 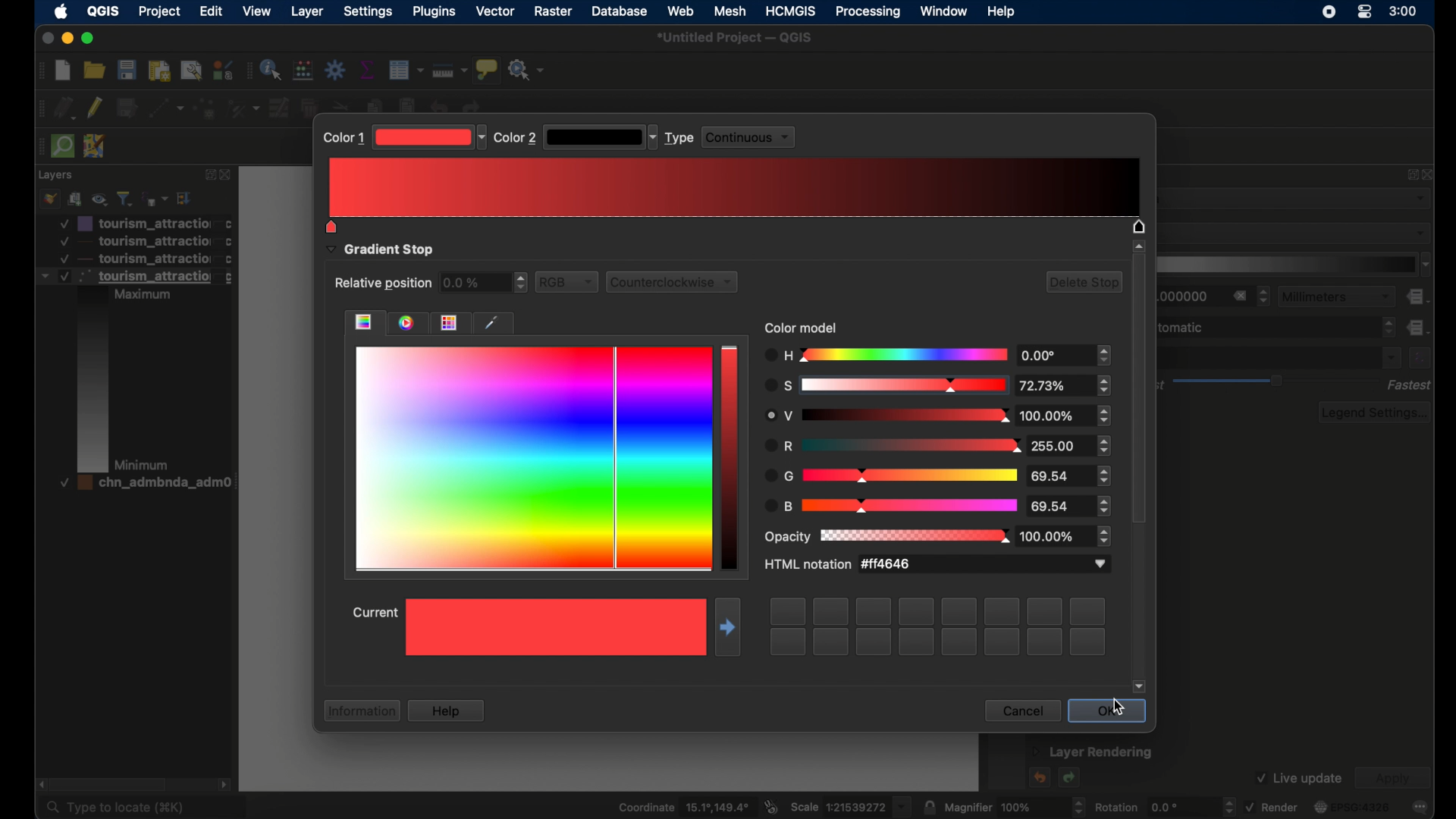 What do you see at coordinates (145, 223) in the screenshot?
I see `layer 1` at bounding box center [145, 223].